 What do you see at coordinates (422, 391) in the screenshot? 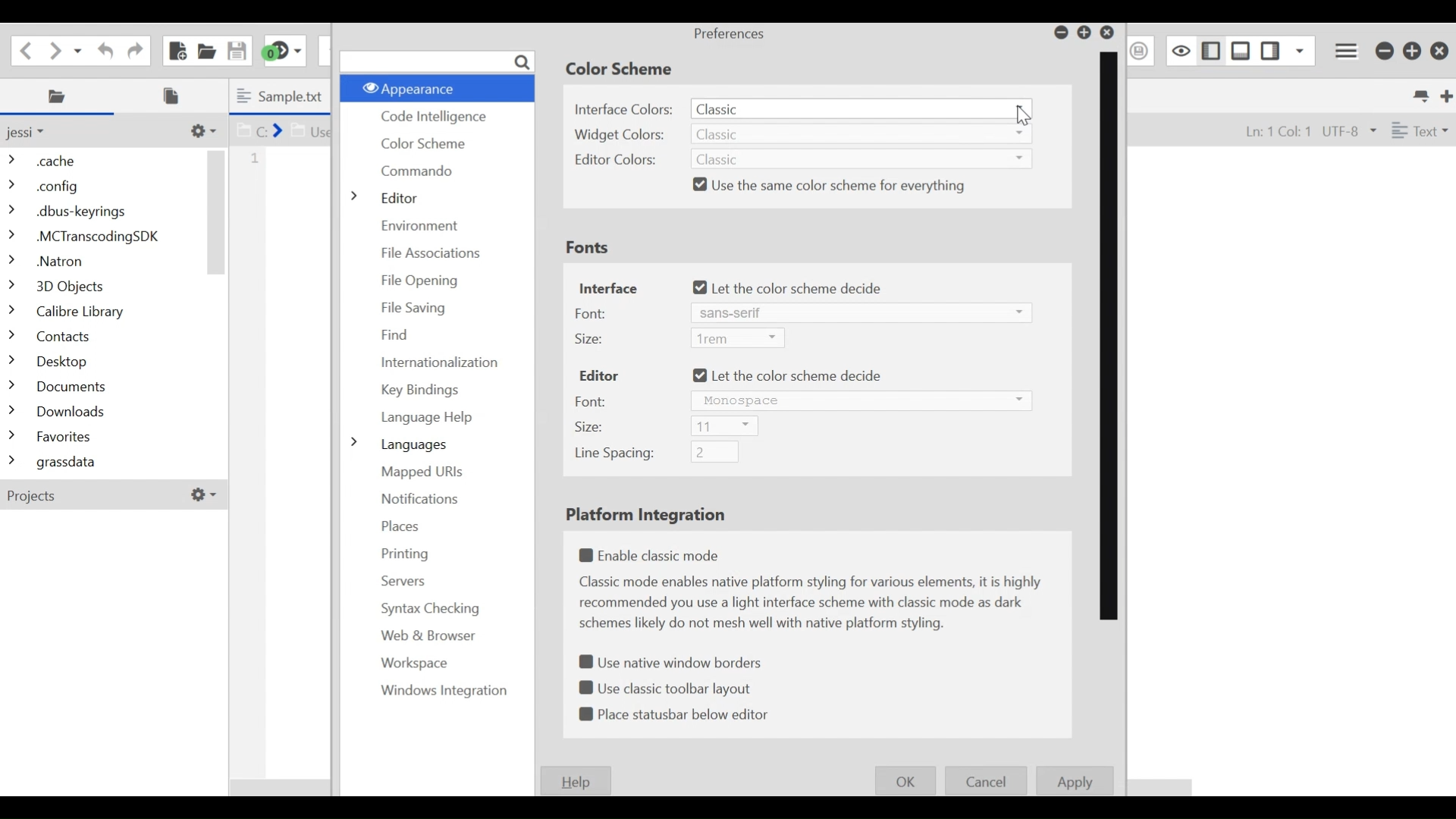
I see `Key Finding` at bounding box center [422, 391].